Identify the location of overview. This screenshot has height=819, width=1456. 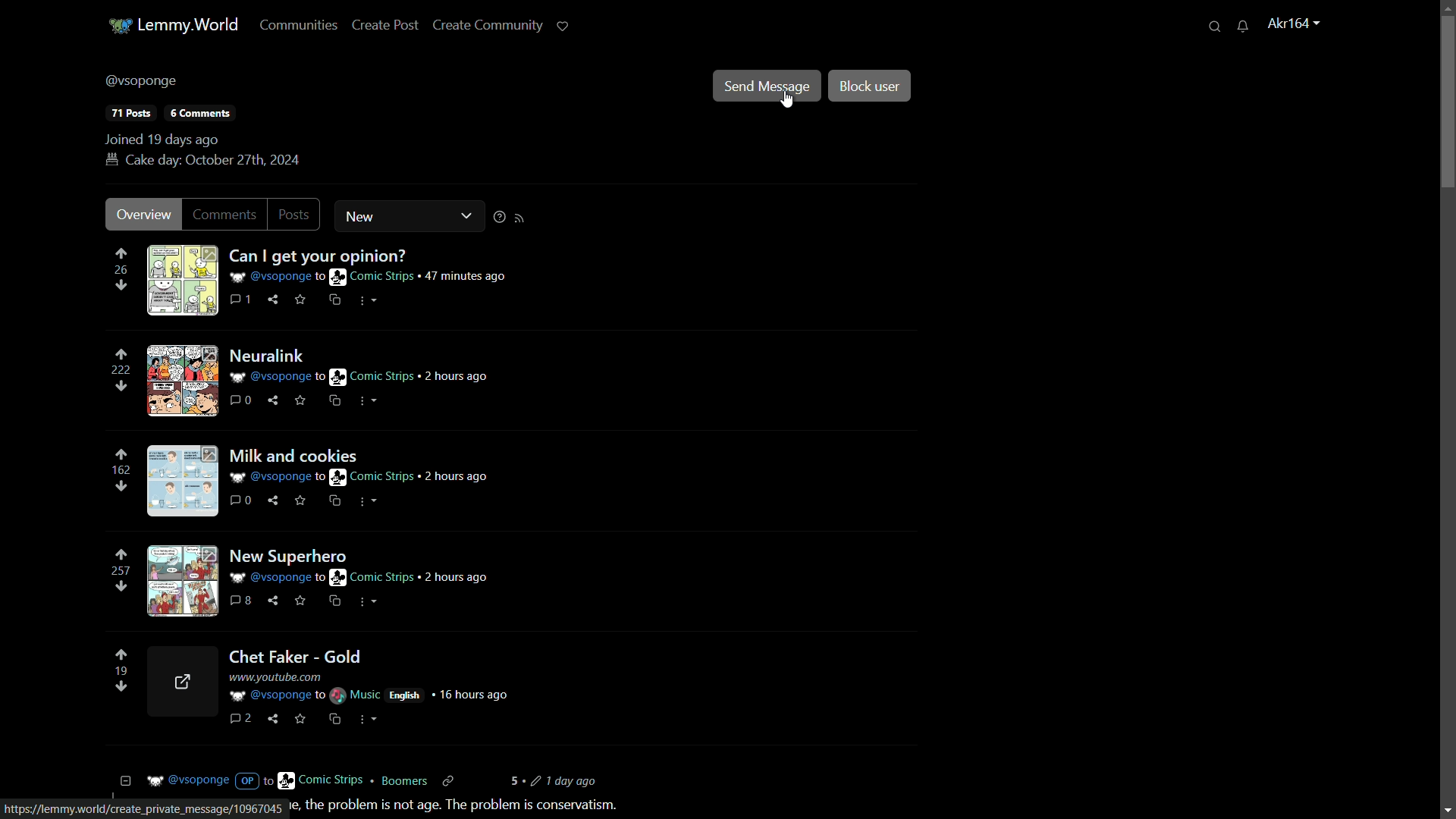
(143, 215).